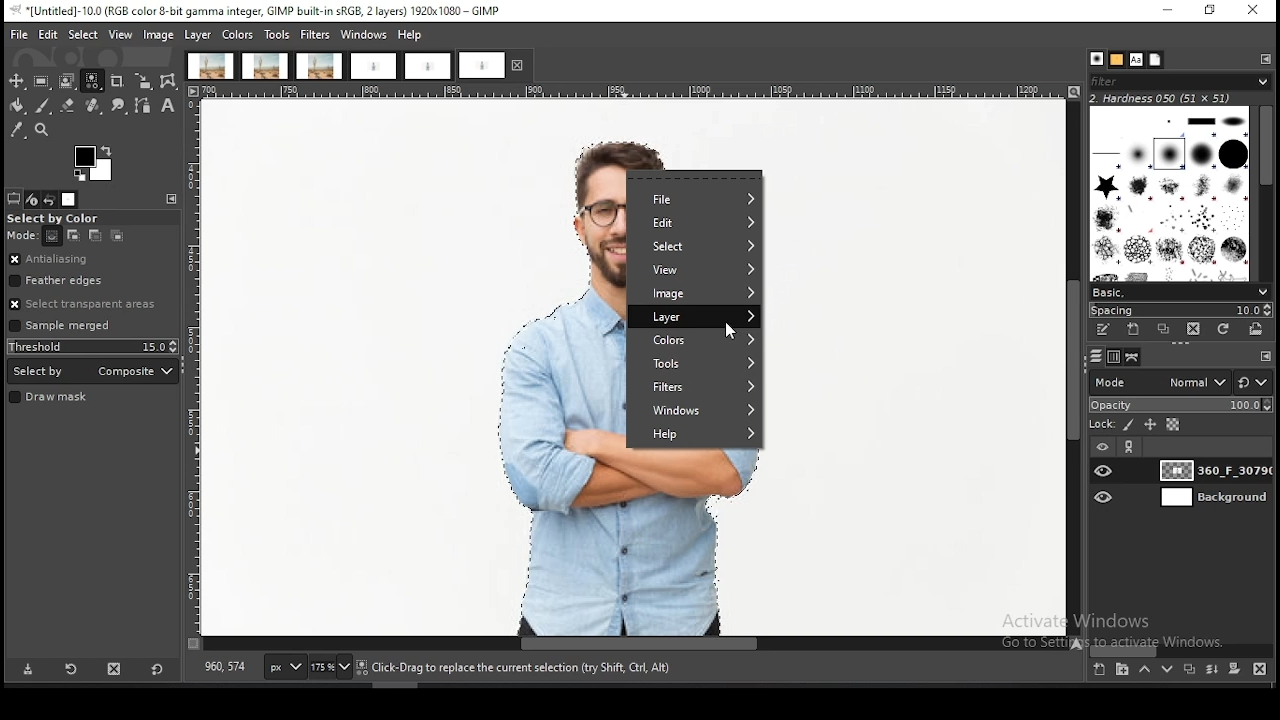 The image size is (1280, 720). I want to click on file, so click(694, 199).